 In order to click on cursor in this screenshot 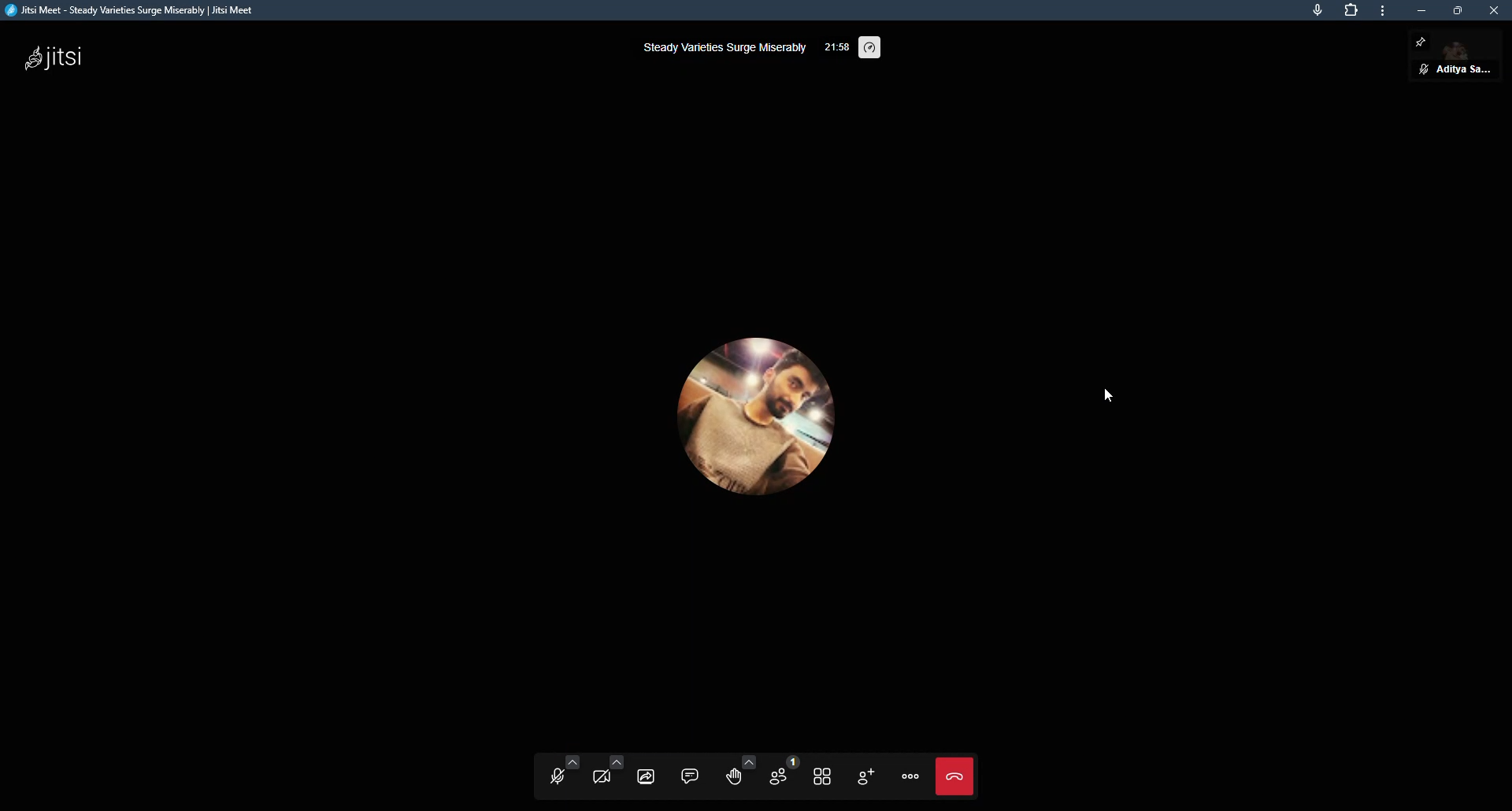, I will do `click(1106, 394)`.